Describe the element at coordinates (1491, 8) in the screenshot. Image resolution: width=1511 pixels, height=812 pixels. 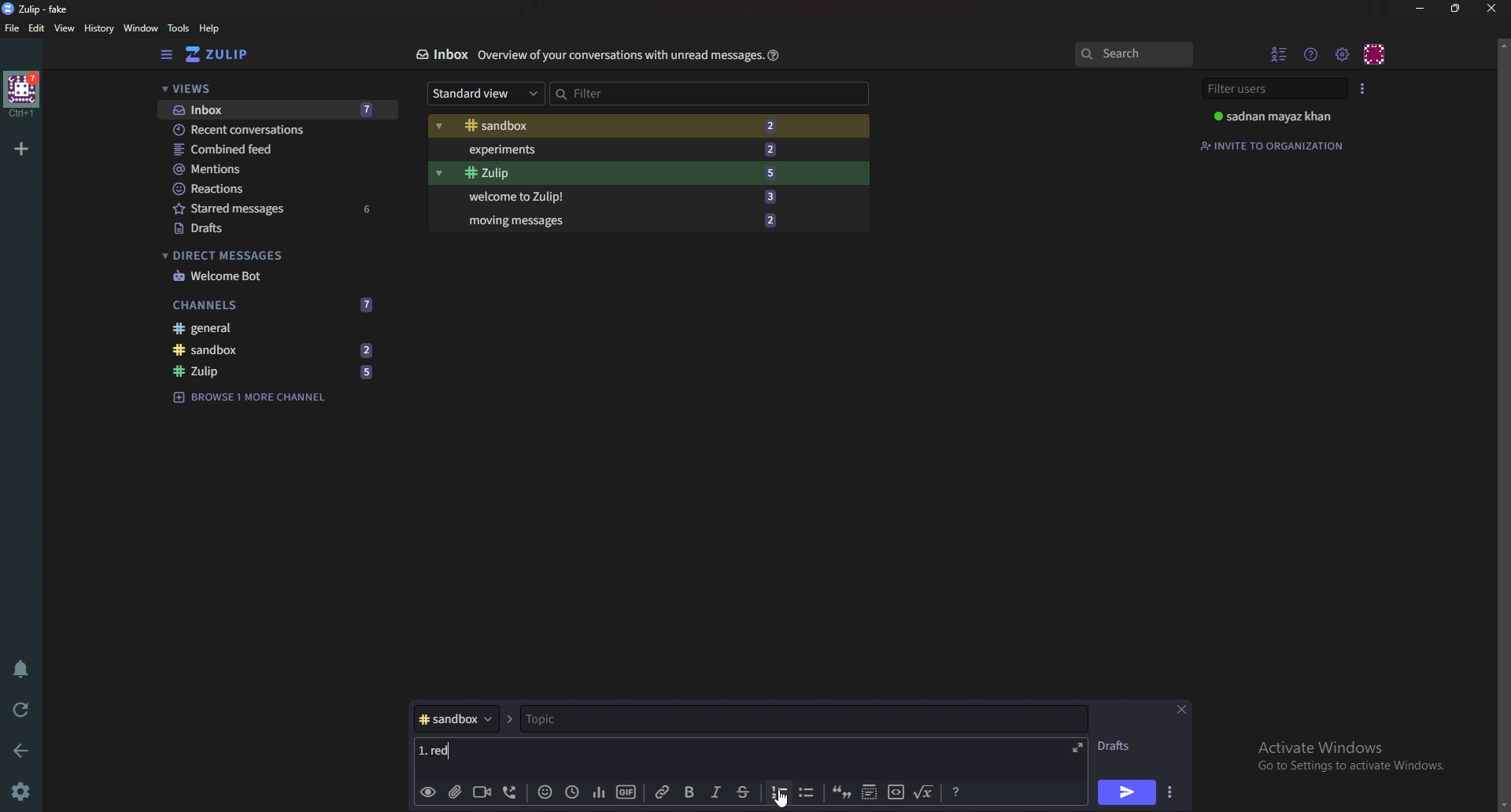
I see `close` at that location.